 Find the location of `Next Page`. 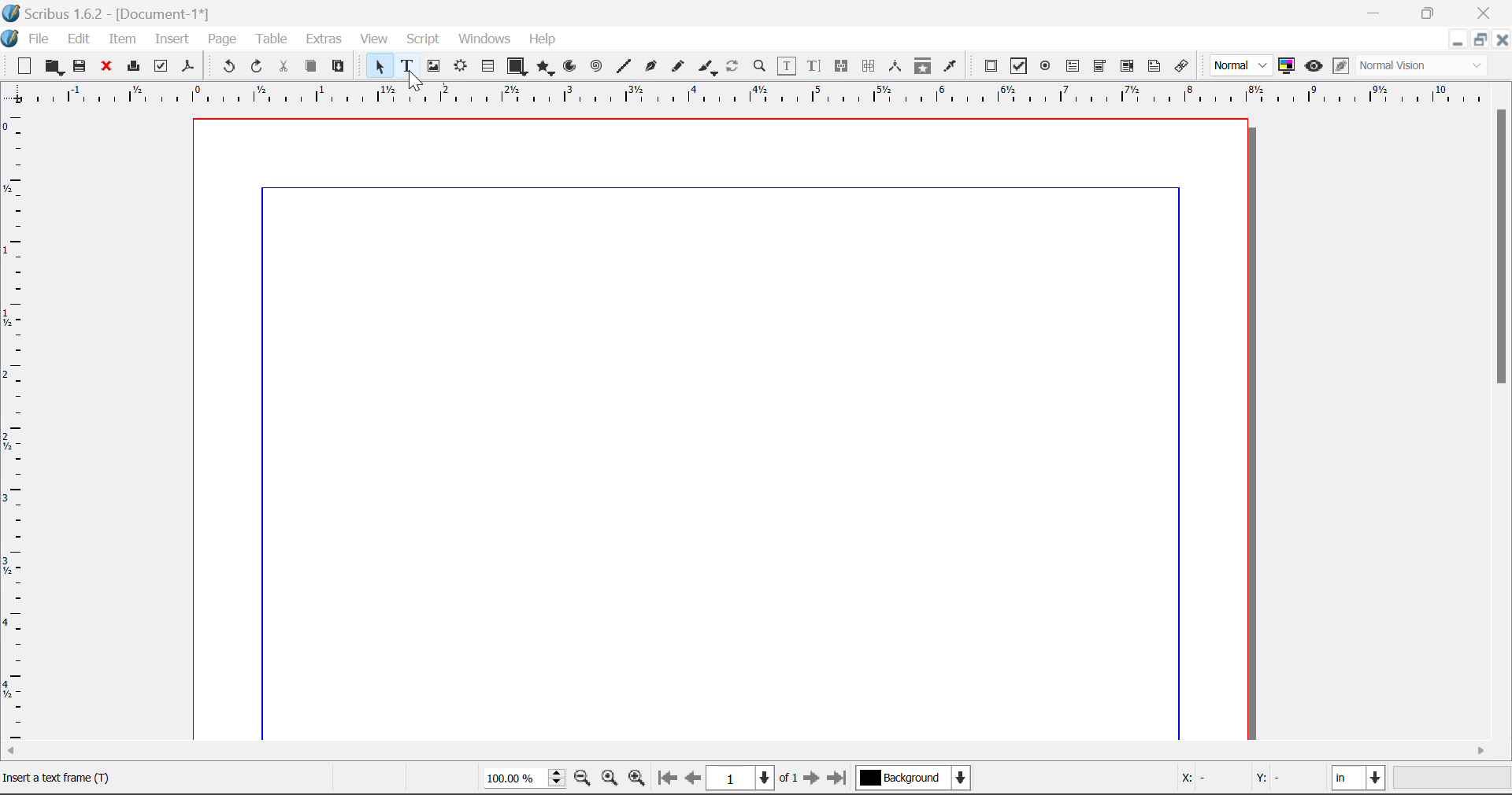

Next Page is located at coordinates (814, 781).